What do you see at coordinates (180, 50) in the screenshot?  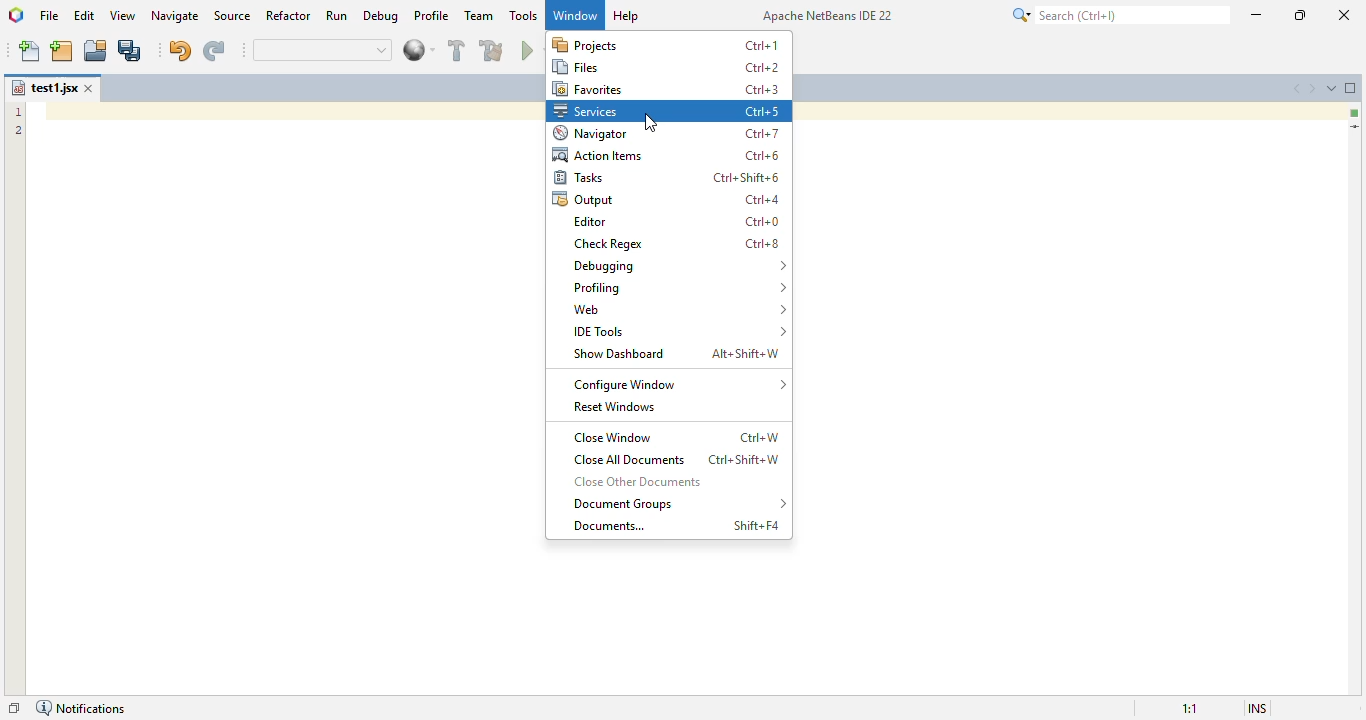 I see `undo` at bounding box center [180, 50].